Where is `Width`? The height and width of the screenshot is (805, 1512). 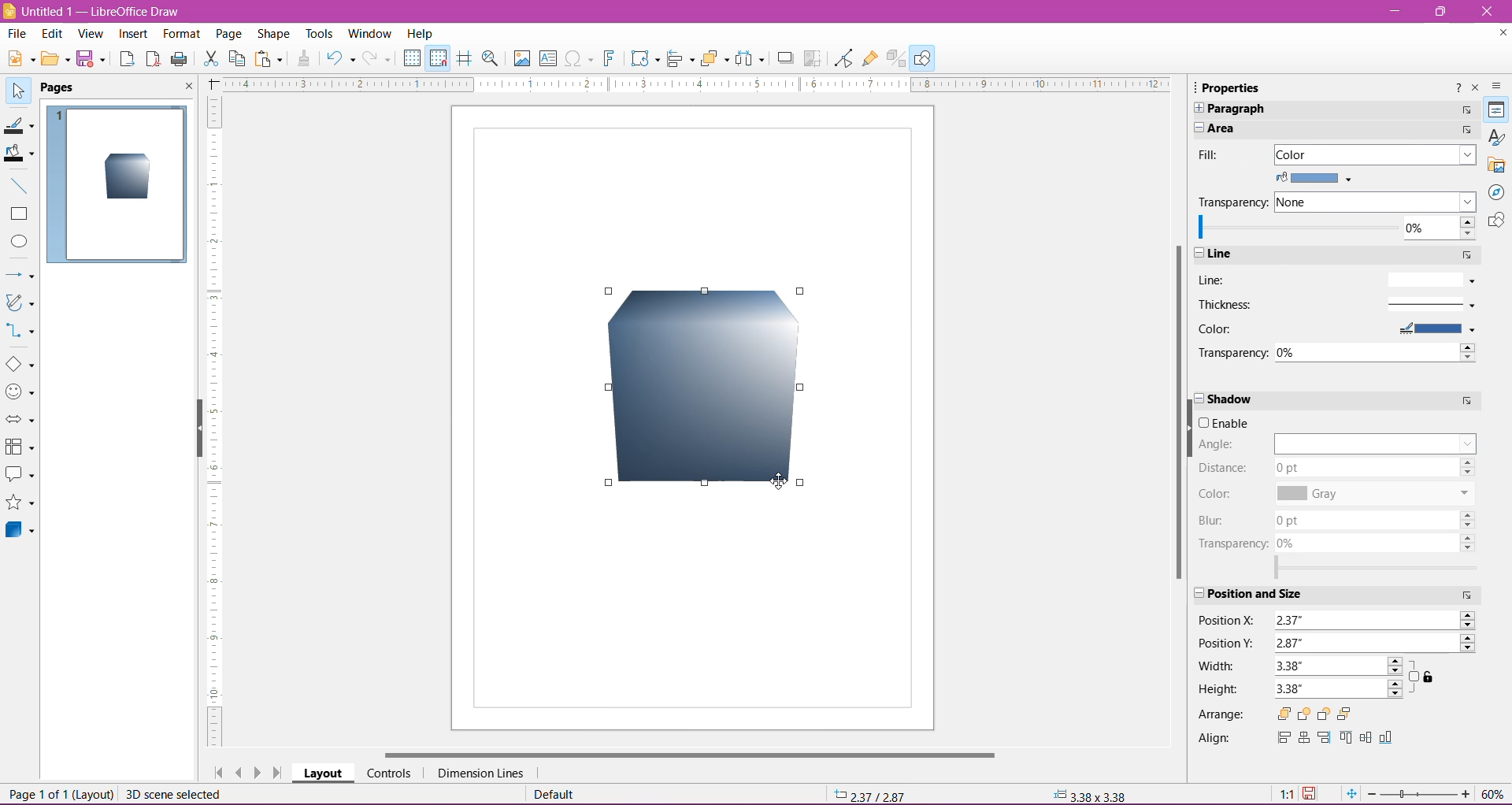
Width is located at coordinates (1217, 666).